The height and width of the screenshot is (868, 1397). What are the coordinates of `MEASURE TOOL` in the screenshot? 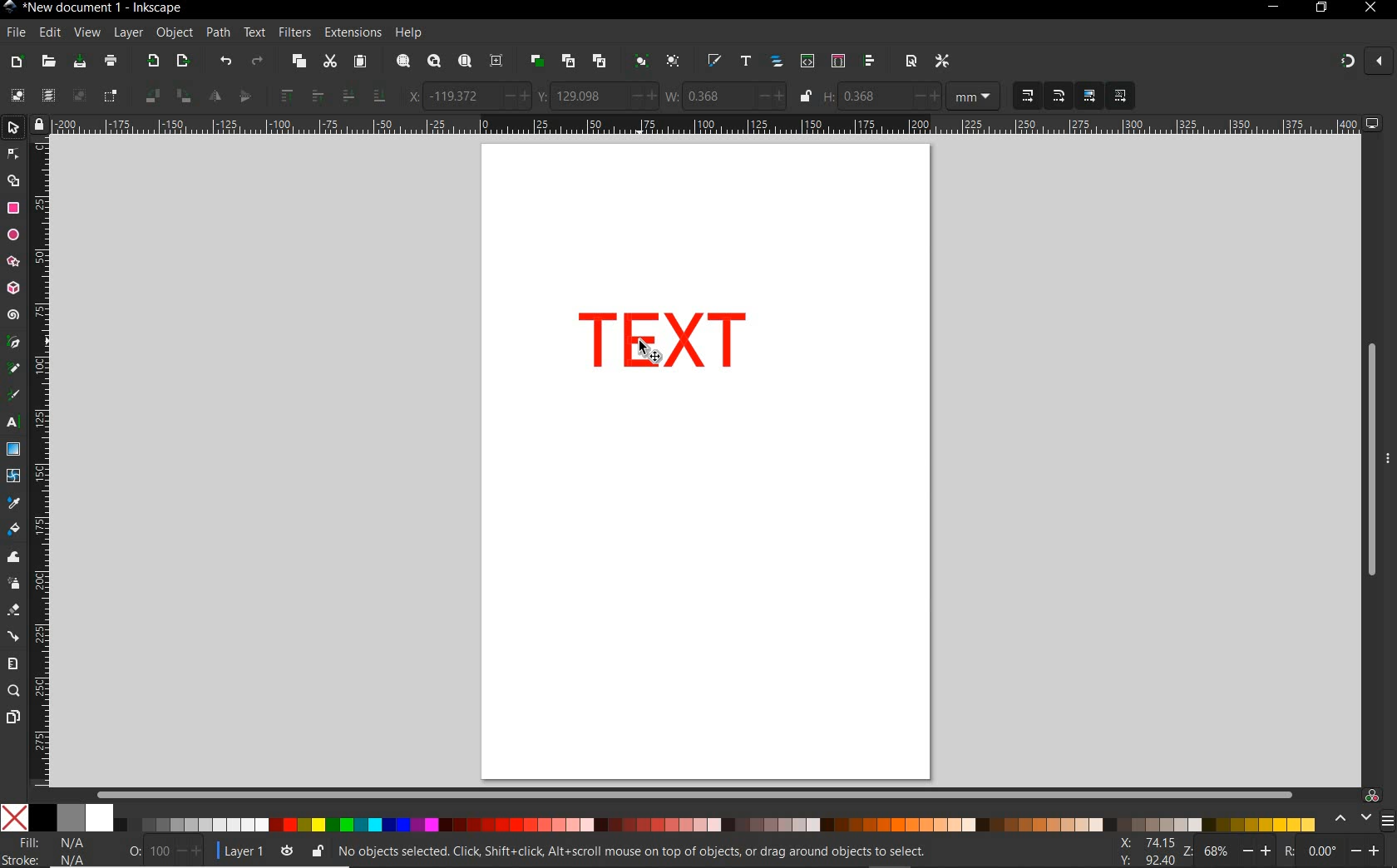 It's located at (12, 663).